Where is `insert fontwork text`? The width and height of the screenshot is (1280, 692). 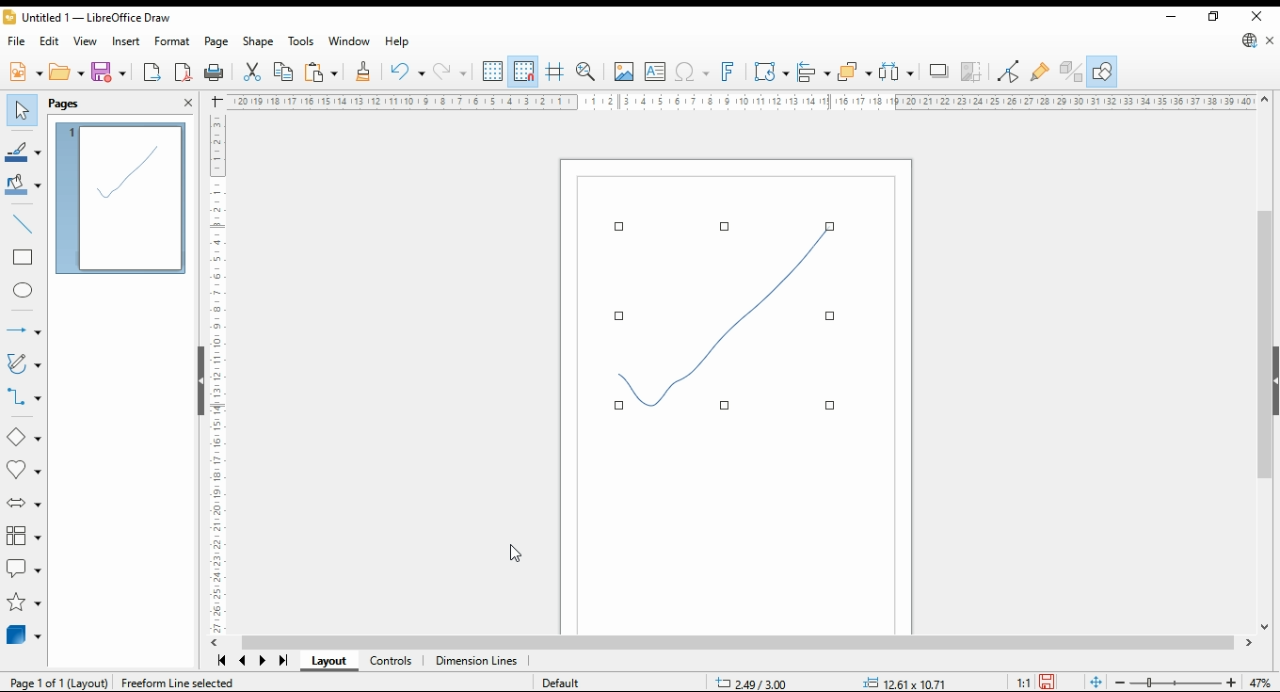 insert fontwork text is located at coordinates (727, 72).